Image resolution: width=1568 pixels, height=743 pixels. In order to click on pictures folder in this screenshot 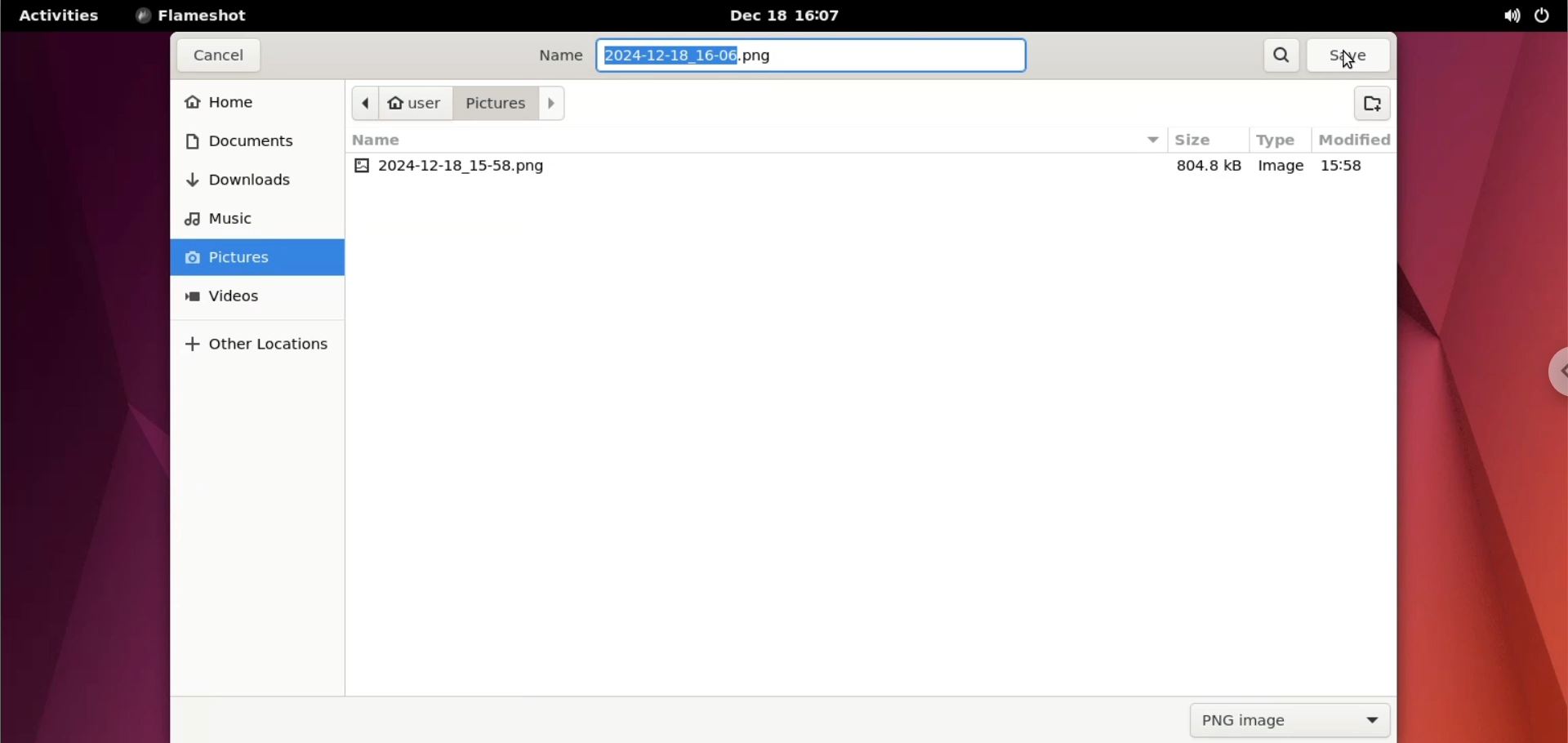, I will do `click(494, 102)`.